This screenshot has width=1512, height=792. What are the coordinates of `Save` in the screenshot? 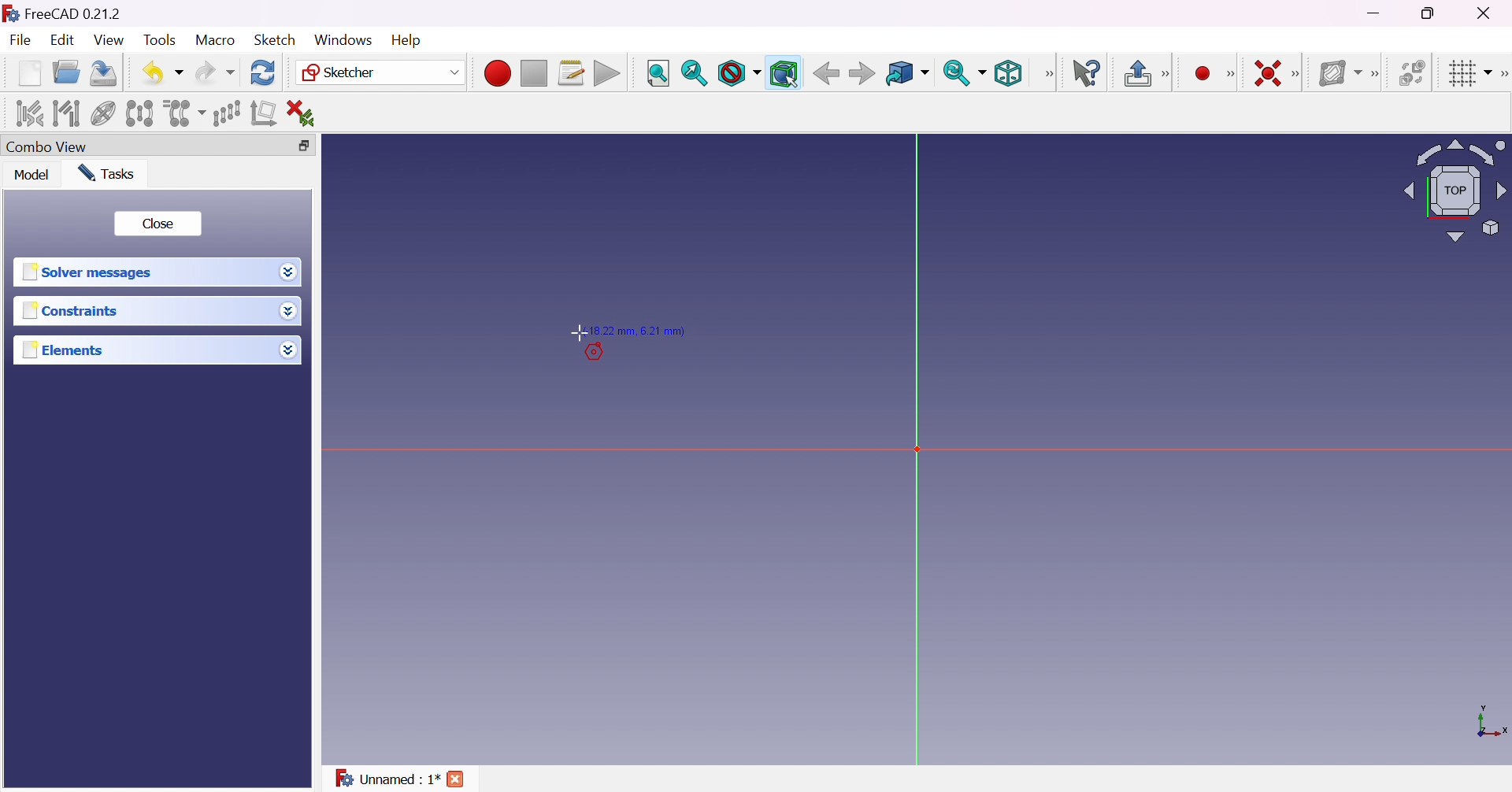 It's located at (104, 73).